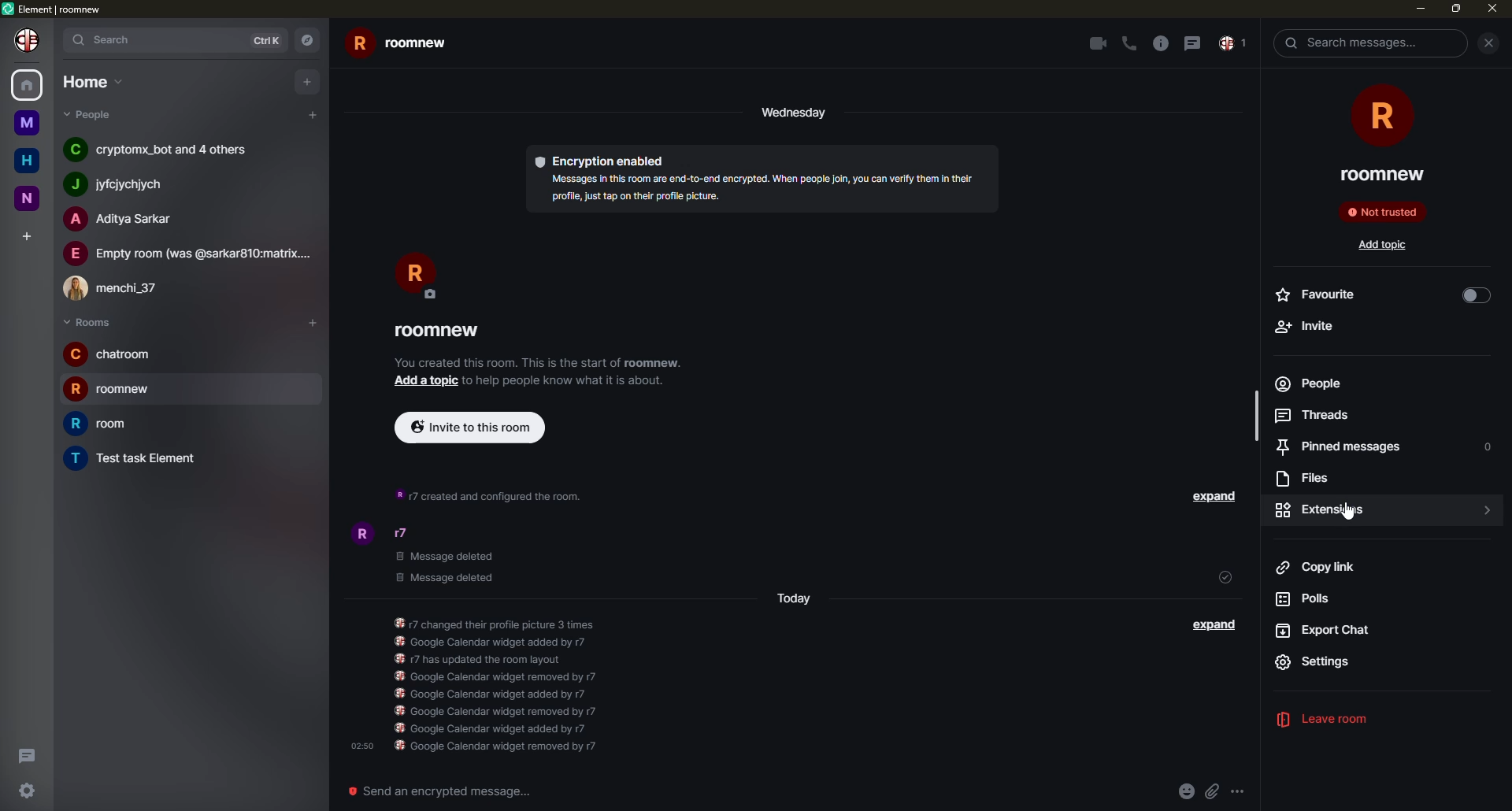 Image resolution: width=1512 pixels, height=811 pixels. Describe the element at coordinates (118, 287) in the screenshot. I see `people` at that location.